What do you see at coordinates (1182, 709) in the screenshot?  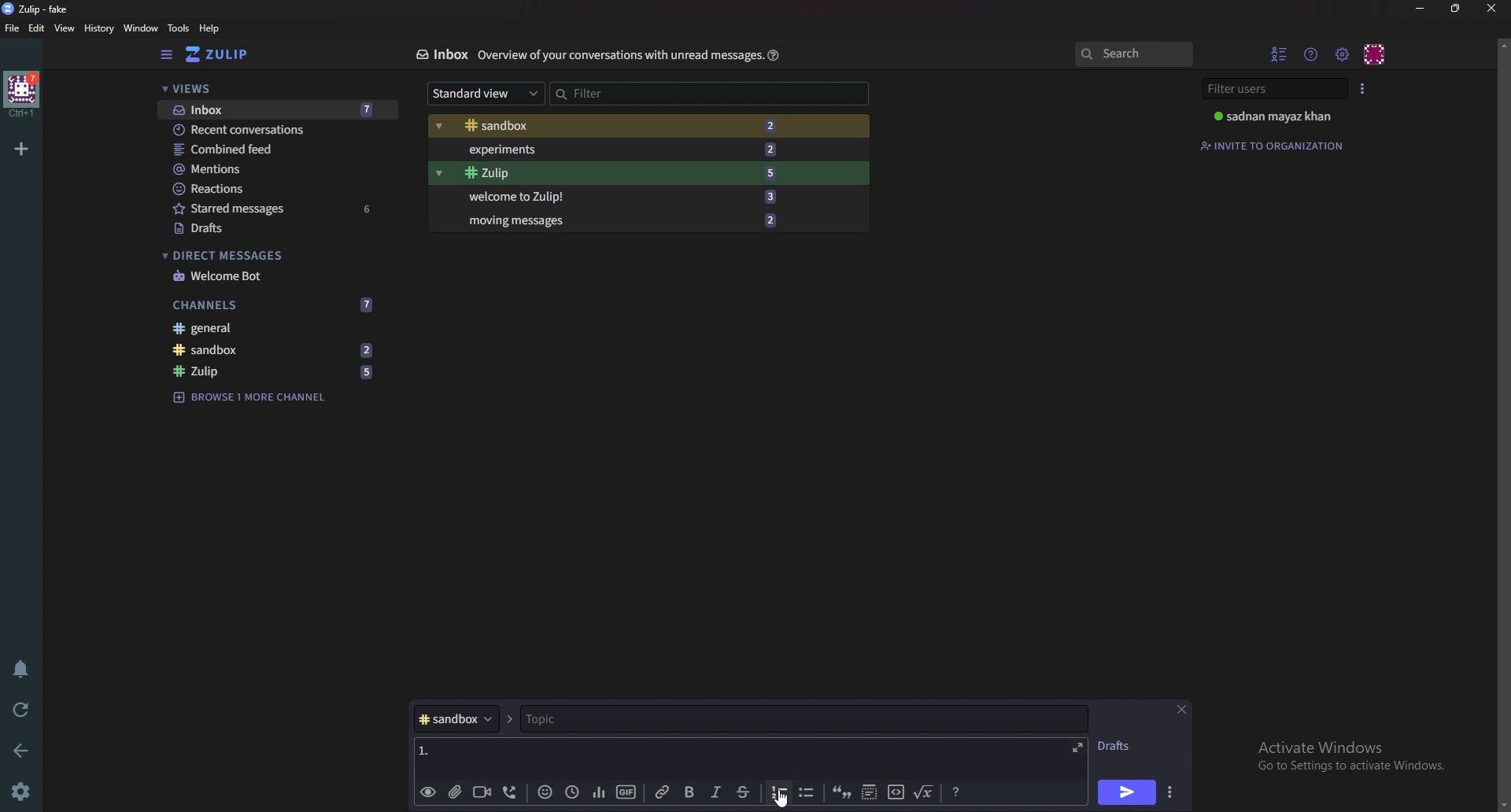 I see `close message` at bounding box center [1182, 709].